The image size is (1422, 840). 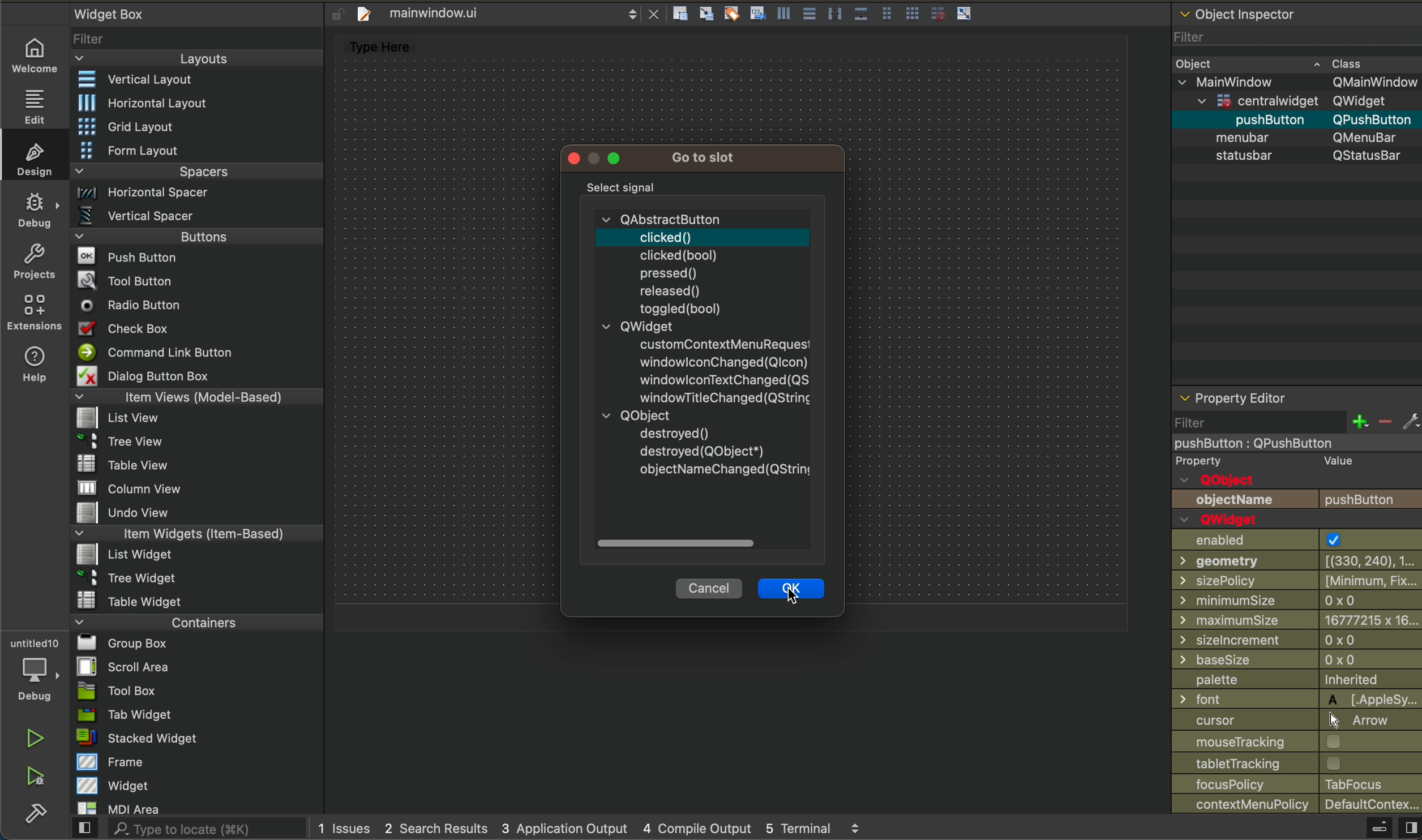 What do you see at coordinates (193, 215) in the screenshot?
I see `Vertical spacer` at bounding box center [193, 215].